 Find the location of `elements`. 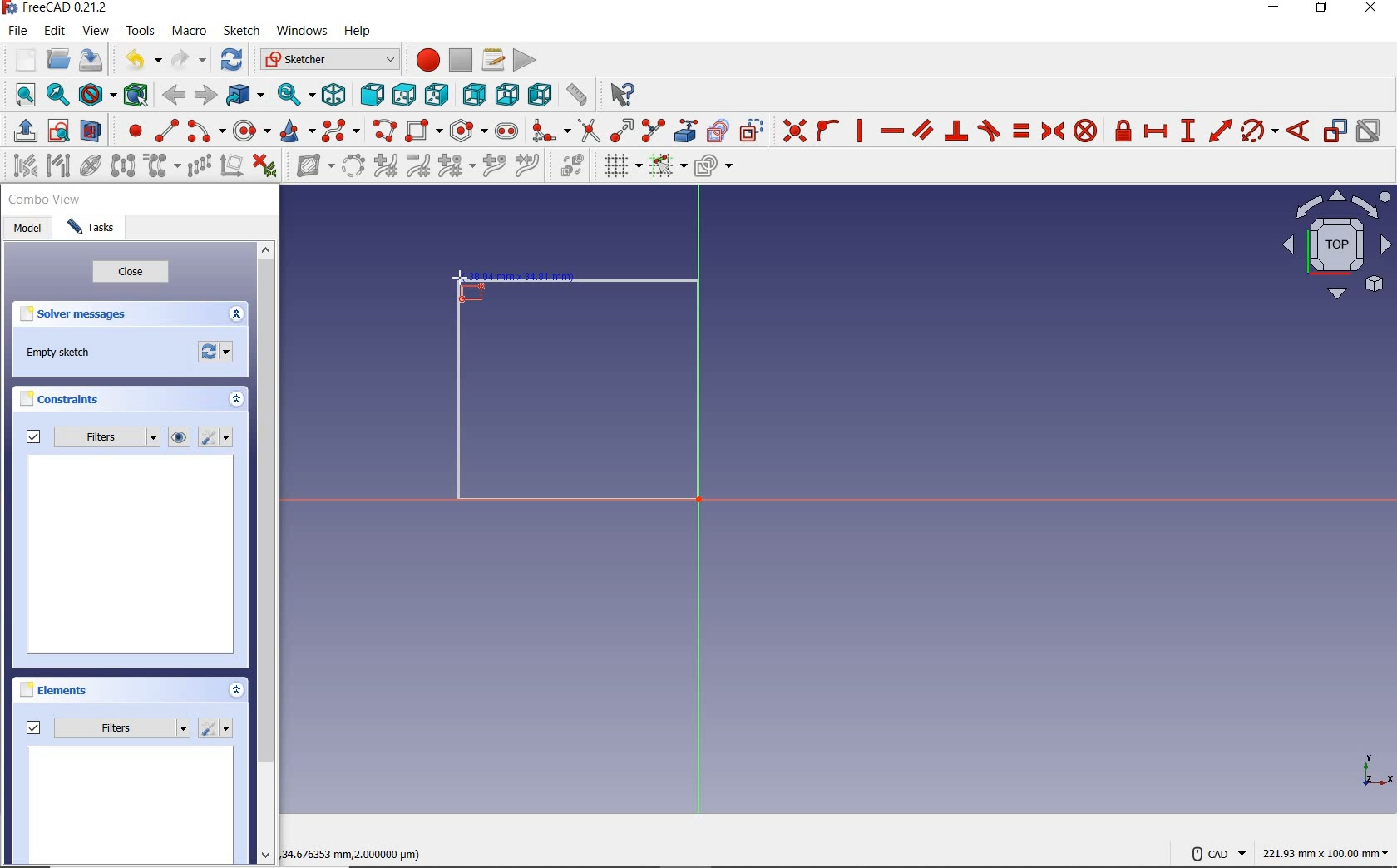

elements is located at coordinates (84, 692).